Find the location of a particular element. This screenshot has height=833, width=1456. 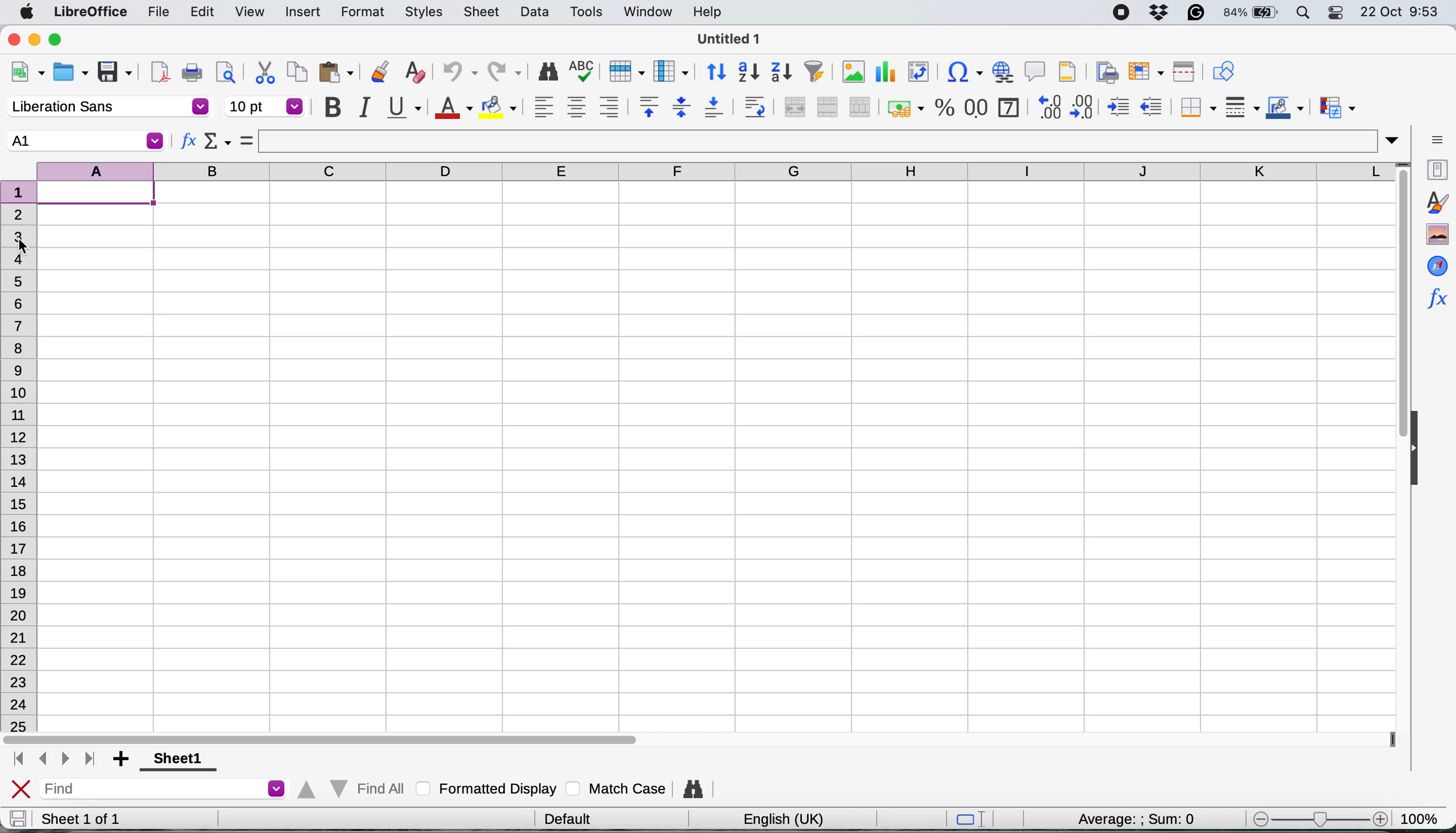

vertical scroll bar is located at coordinates (1394, 312).